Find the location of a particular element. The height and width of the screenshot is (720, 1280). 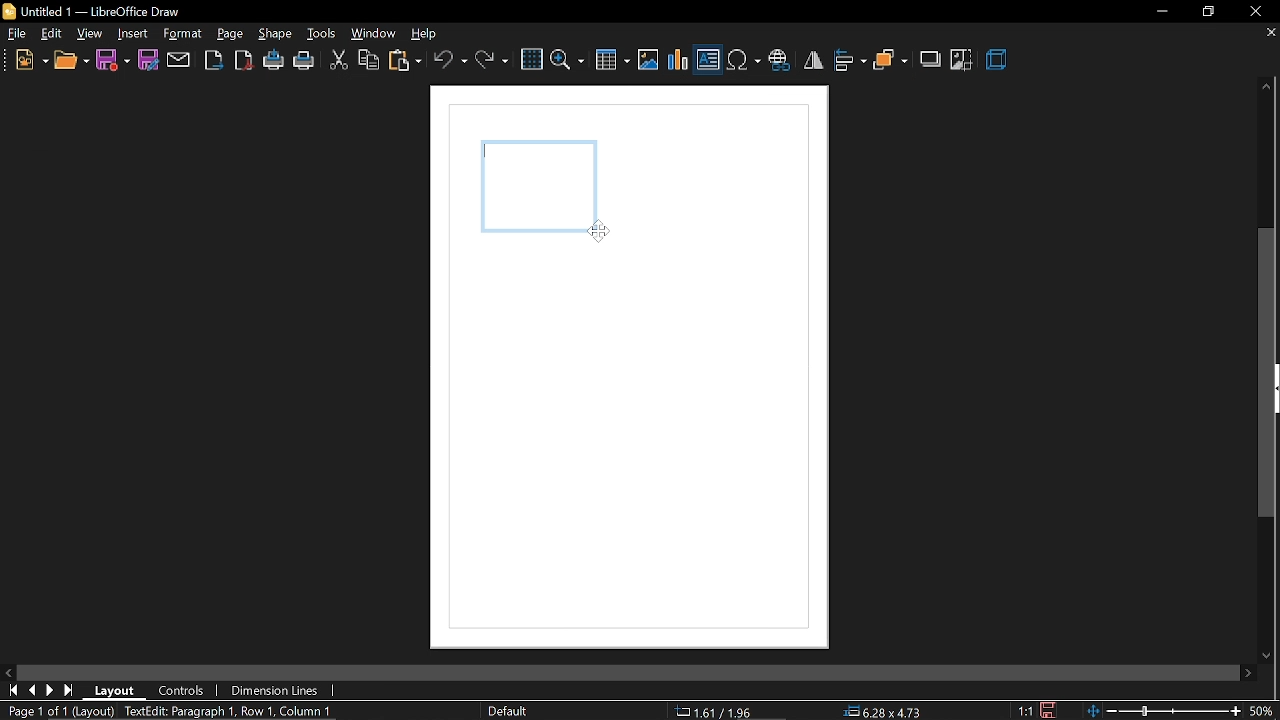

controls is located at coordinates (182, 692).